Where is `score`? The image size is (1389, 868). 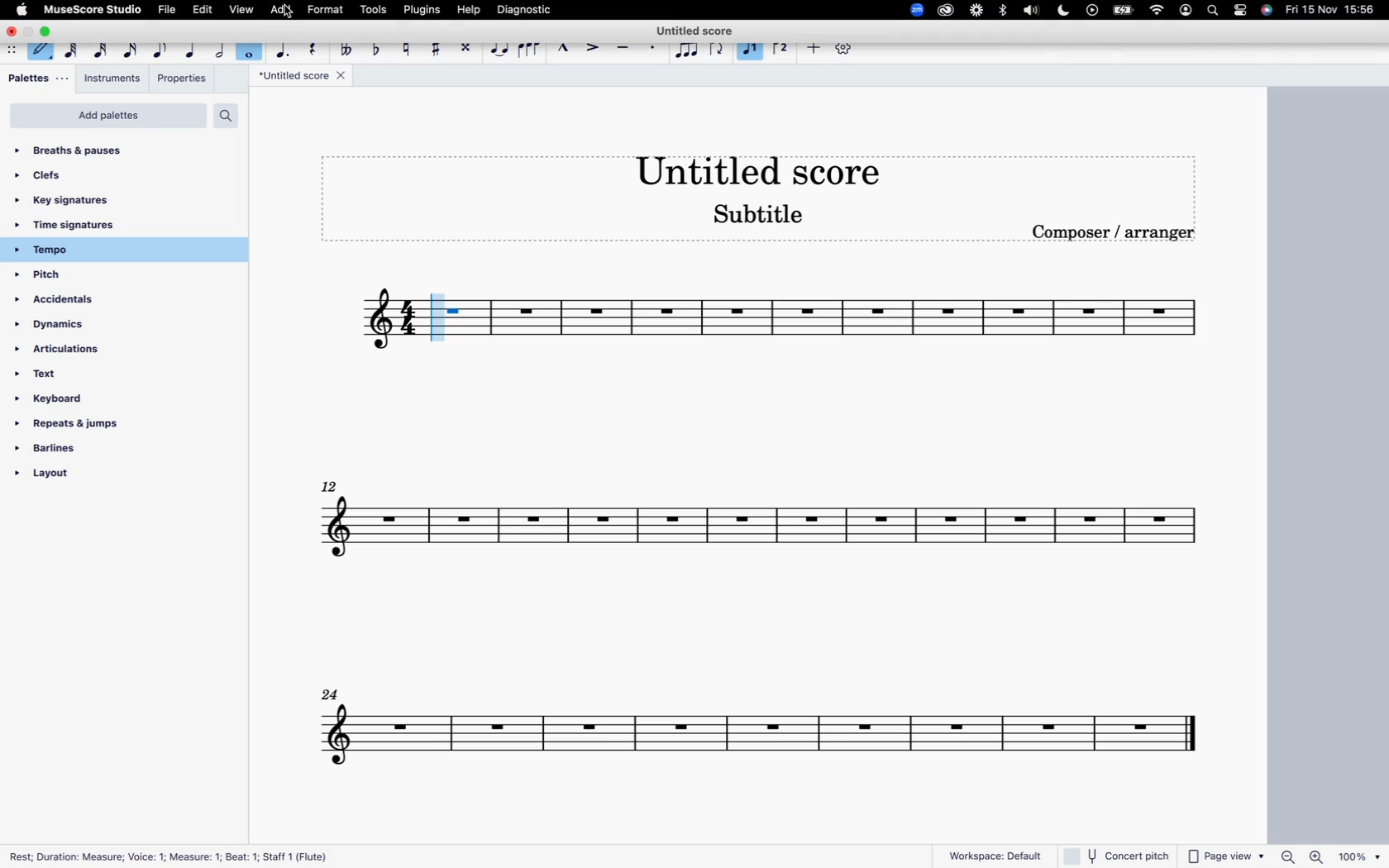
score is located at coordinates (379, 322).